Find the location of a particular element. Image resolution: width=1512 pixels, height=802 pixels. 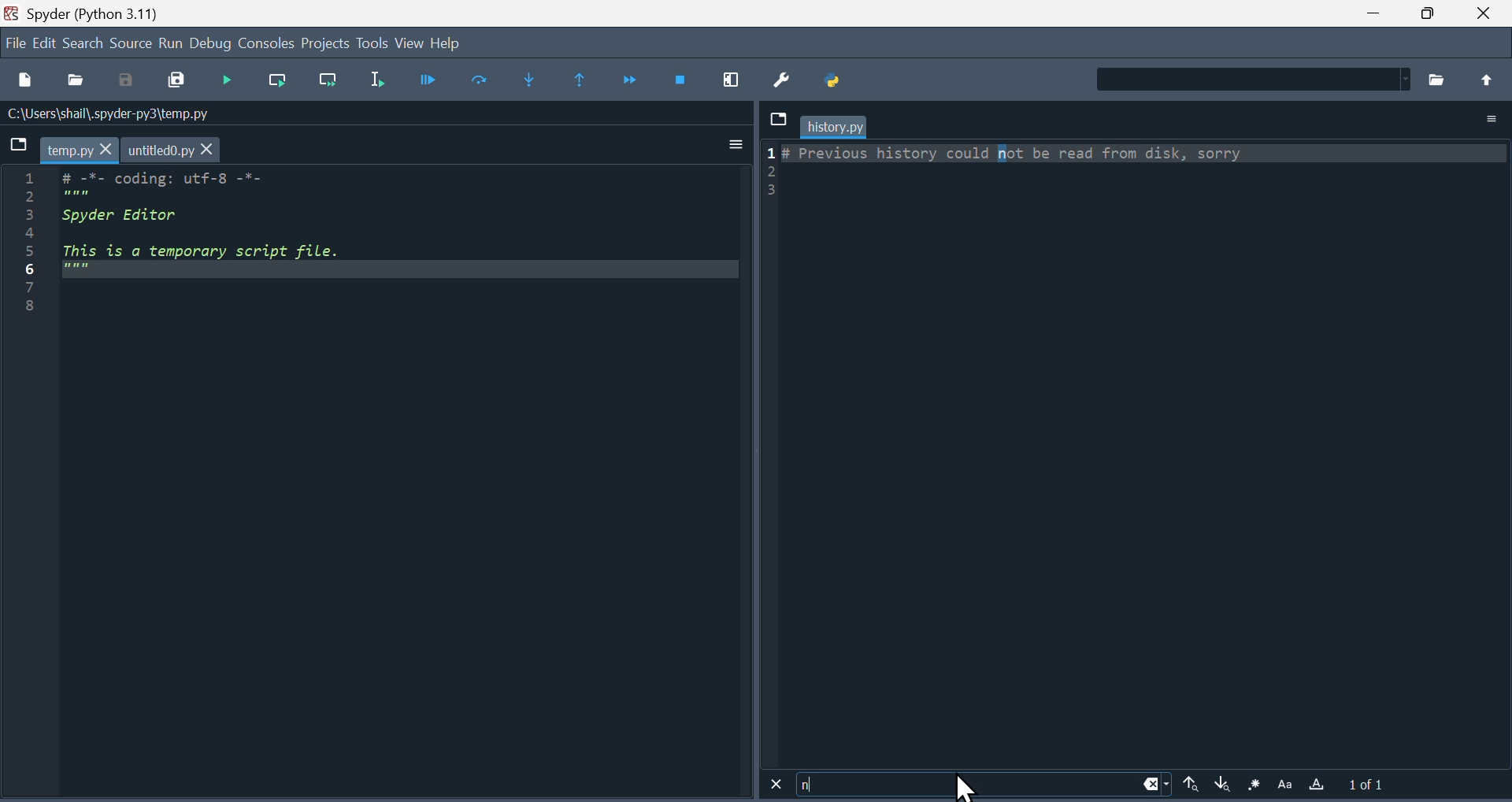

Run current line and go to the next one is located at coordinates (328, 84).